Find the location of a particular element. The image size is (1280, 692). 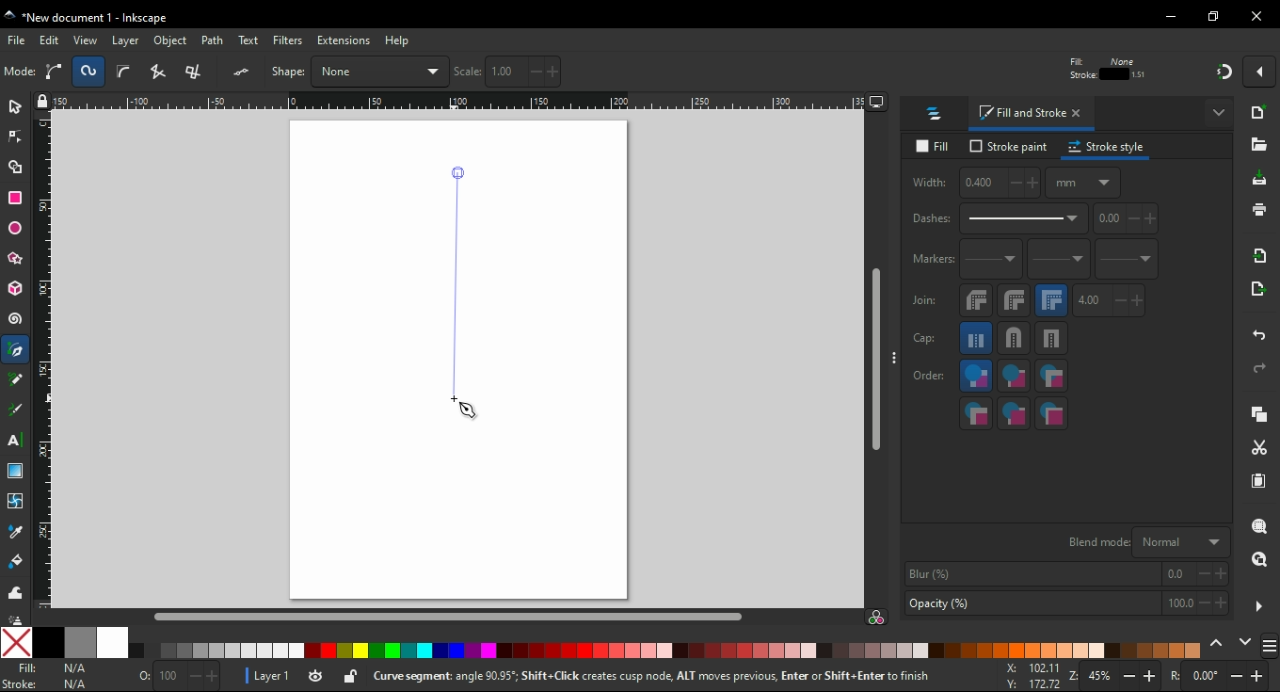

object is located at coordinates (173, 41).